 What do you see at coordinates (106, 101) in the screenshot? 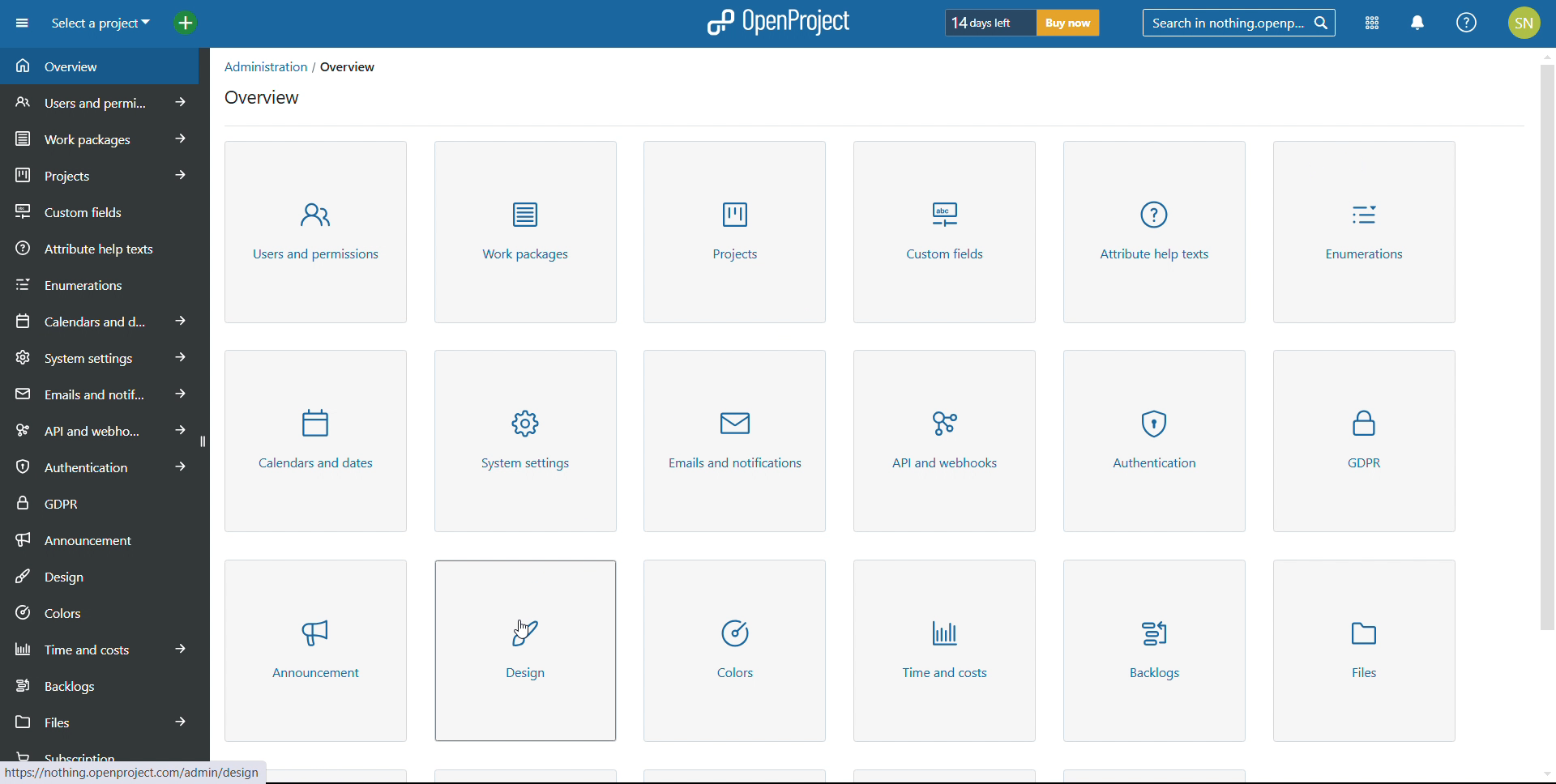
I see `users and permissions` at bounding box center [106, 101].